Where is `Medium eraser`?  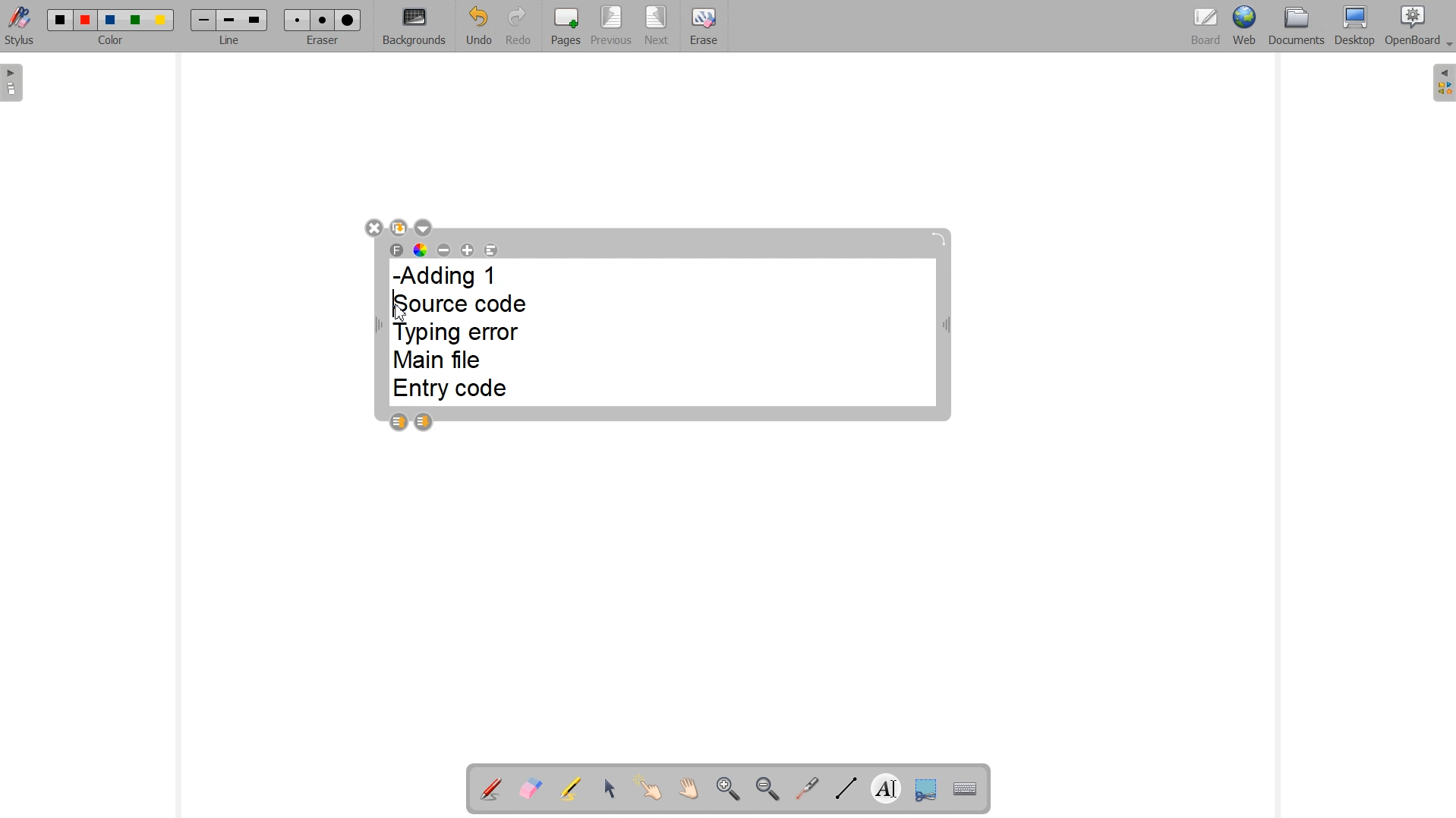 Medium eraser is located at coordinates (323, 20).